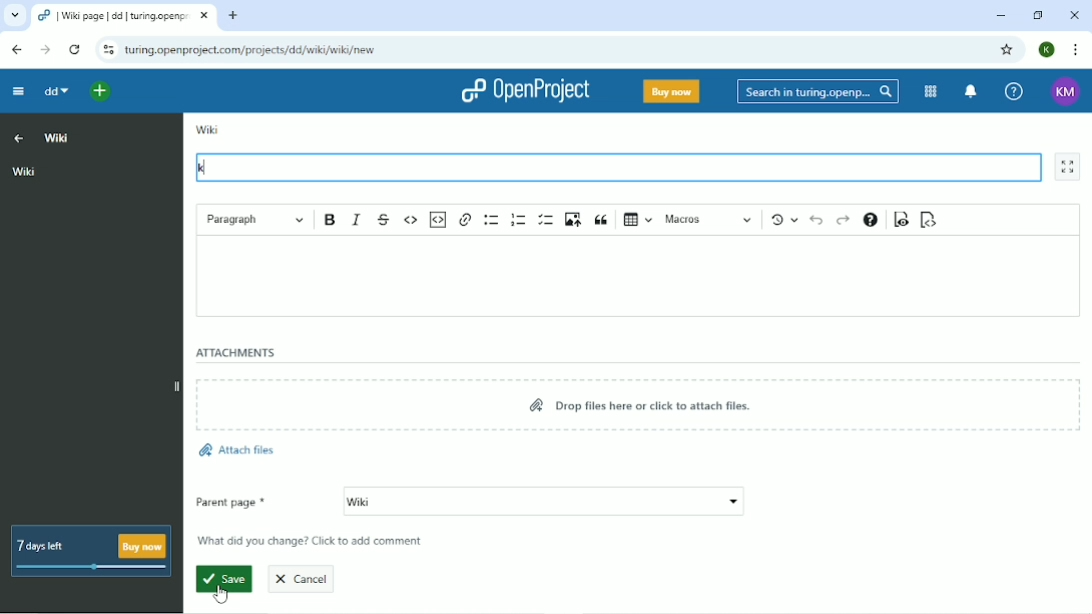 The height and width of the screenshot is (614, 1092). I want to click on Forward, so click(45, 50).